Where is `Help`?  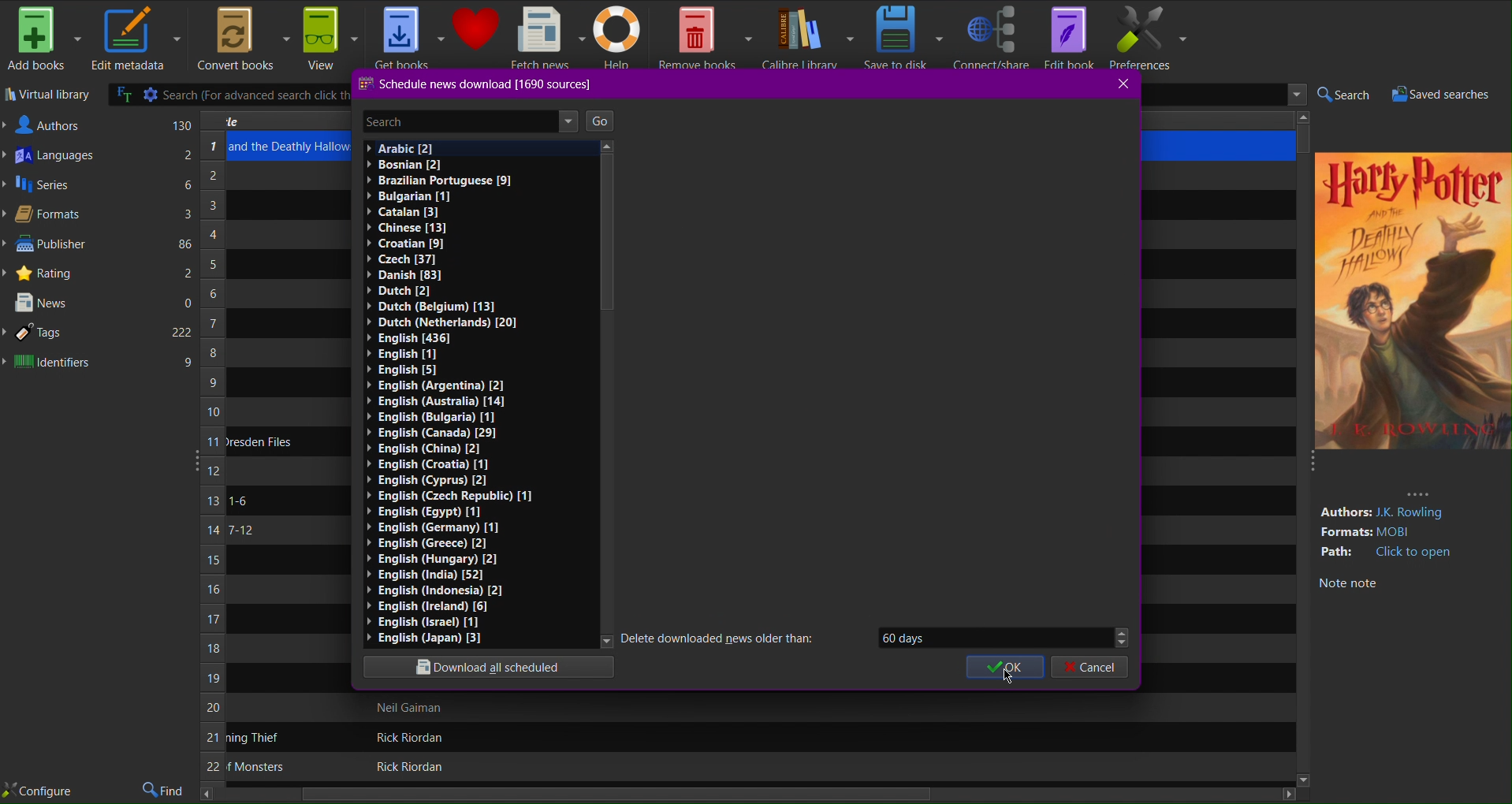
Help is located at coordinates (621, 39).